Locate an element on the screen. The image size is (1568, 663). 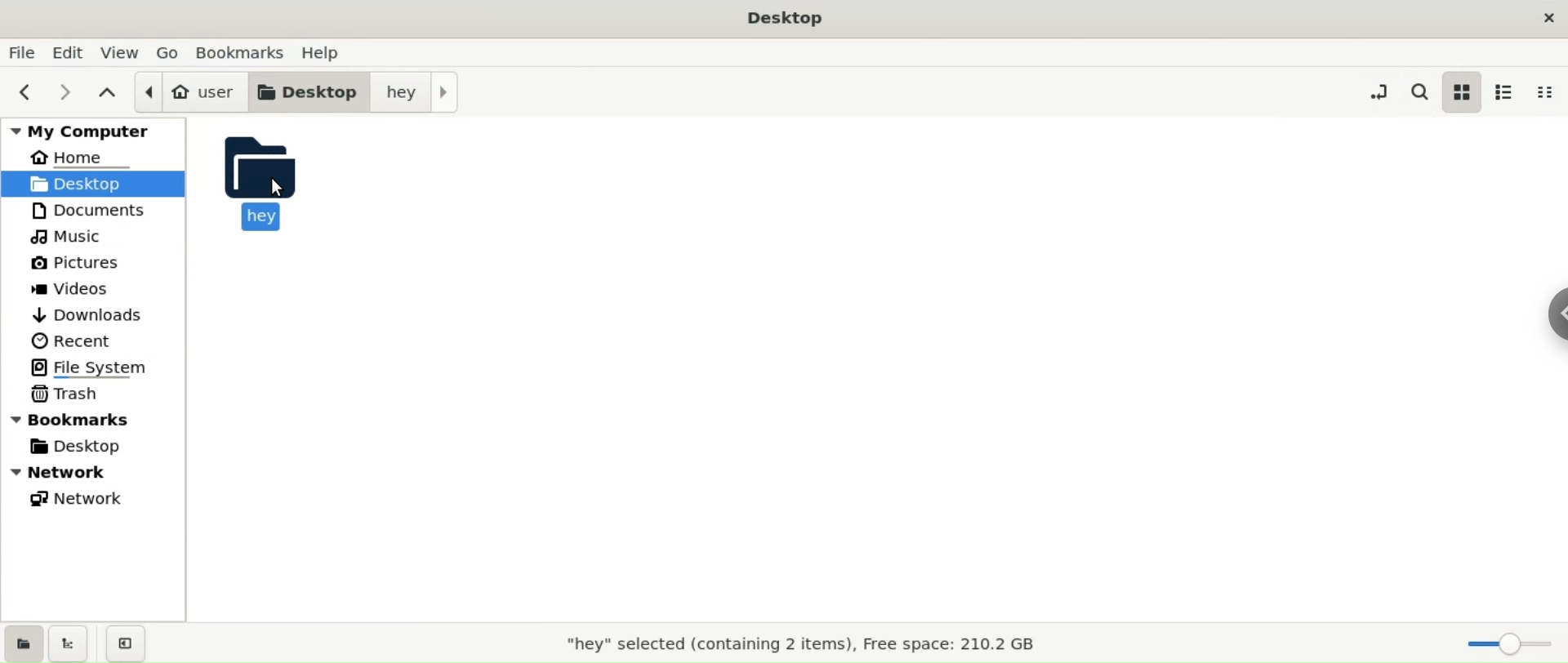
network is located at coordinates (78, 499).